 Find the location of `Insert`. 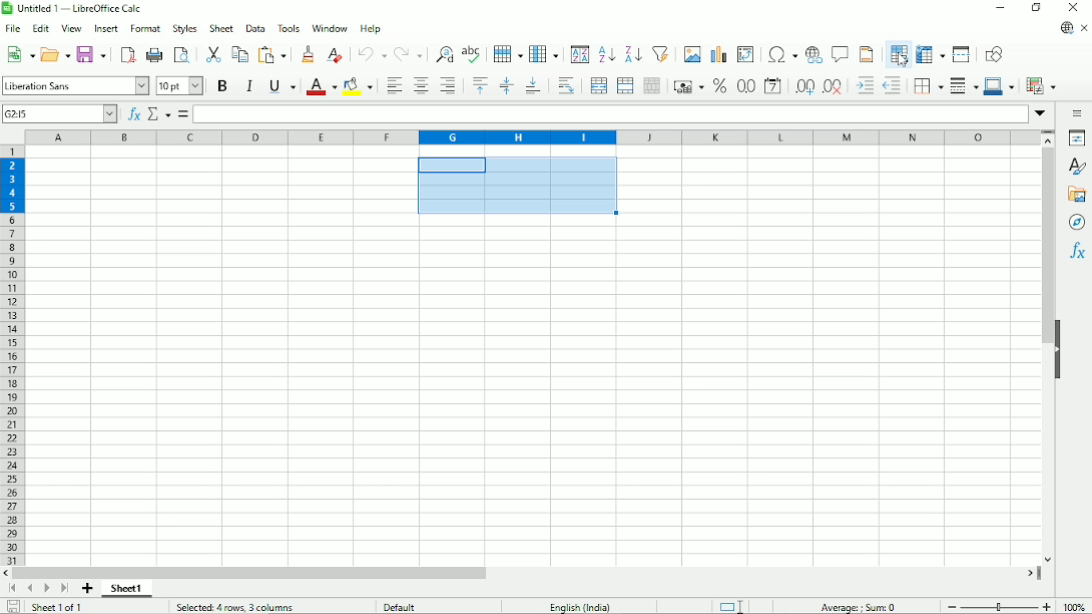

Insert is located at coordinates (104, 28).